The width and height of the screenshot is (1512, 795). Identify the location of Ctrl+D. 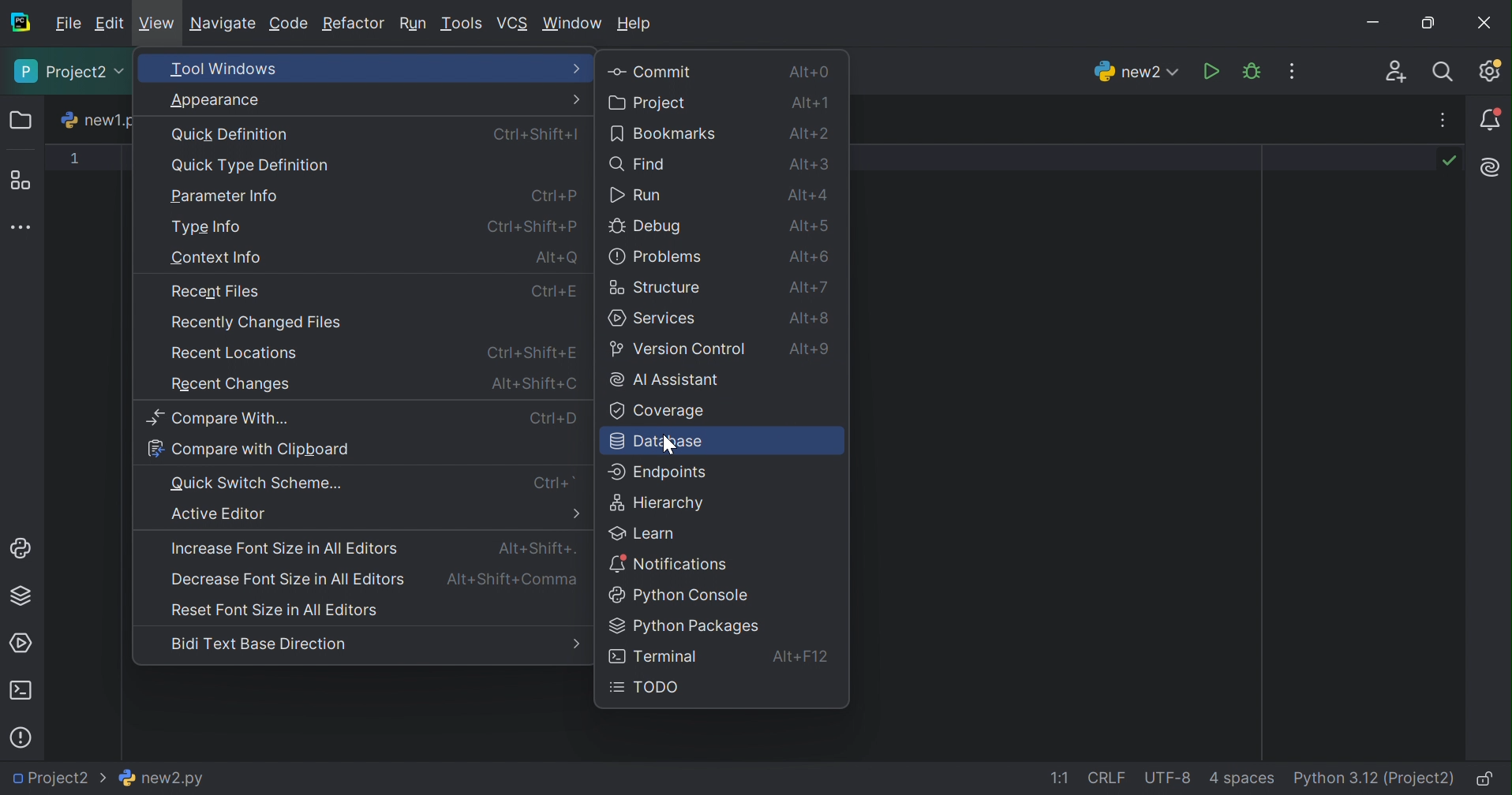
(553, 417).